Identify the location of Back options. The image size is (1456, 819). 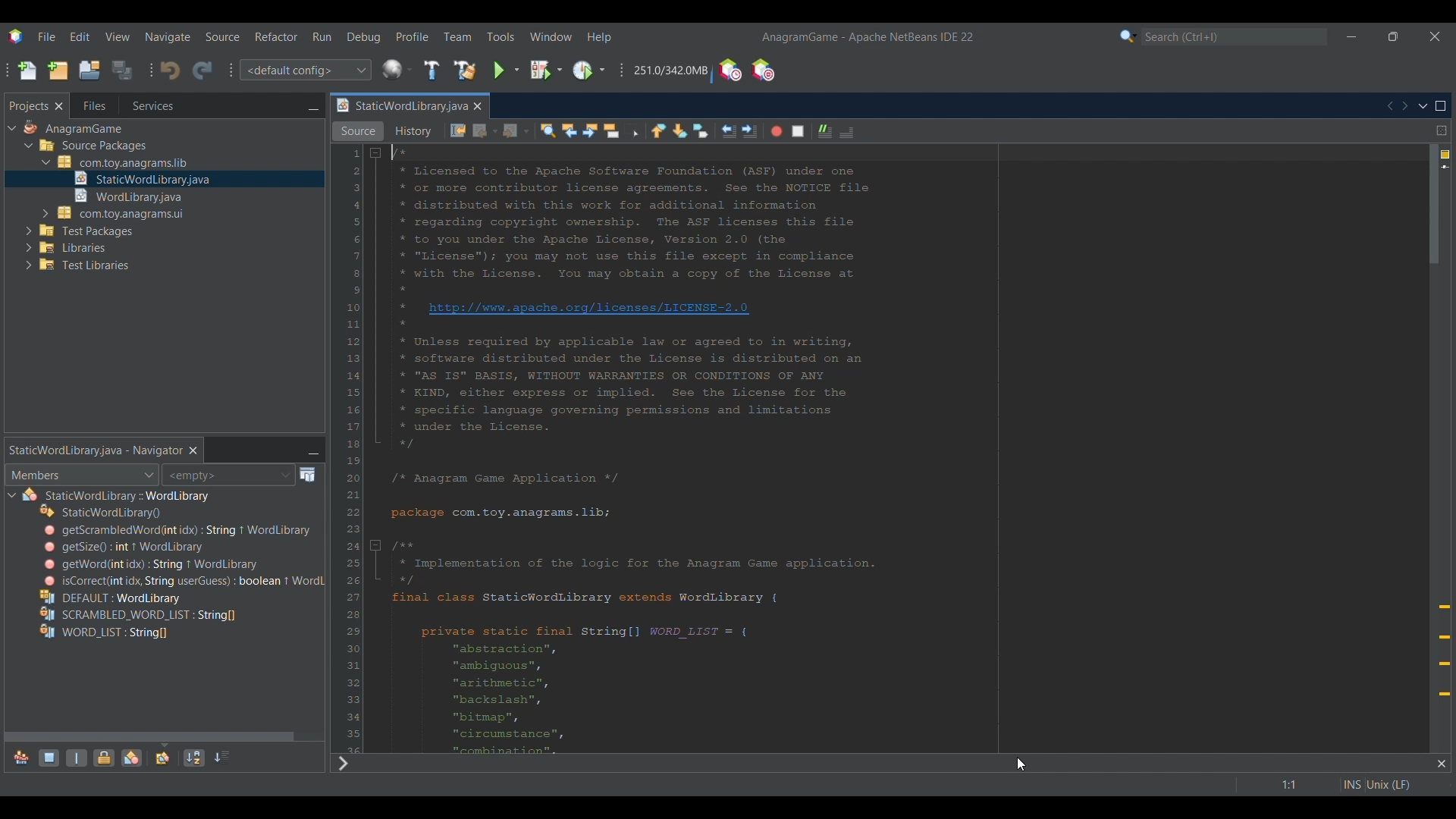
(494, 132).